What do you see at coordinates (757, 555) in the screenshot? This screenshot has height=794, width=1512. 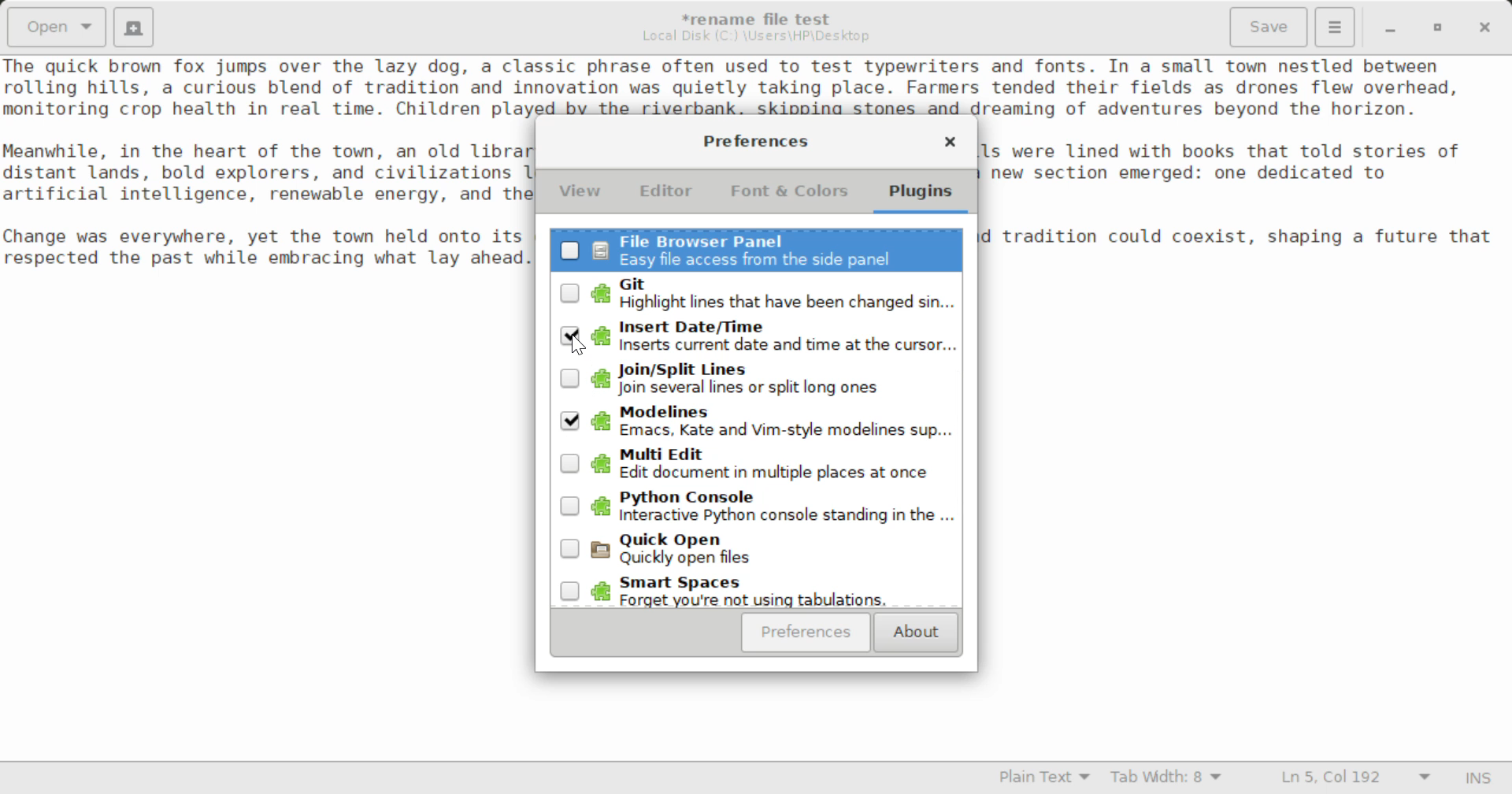 I see `Unselected Quickly Open Plugin` at bounding box center [757, 555].